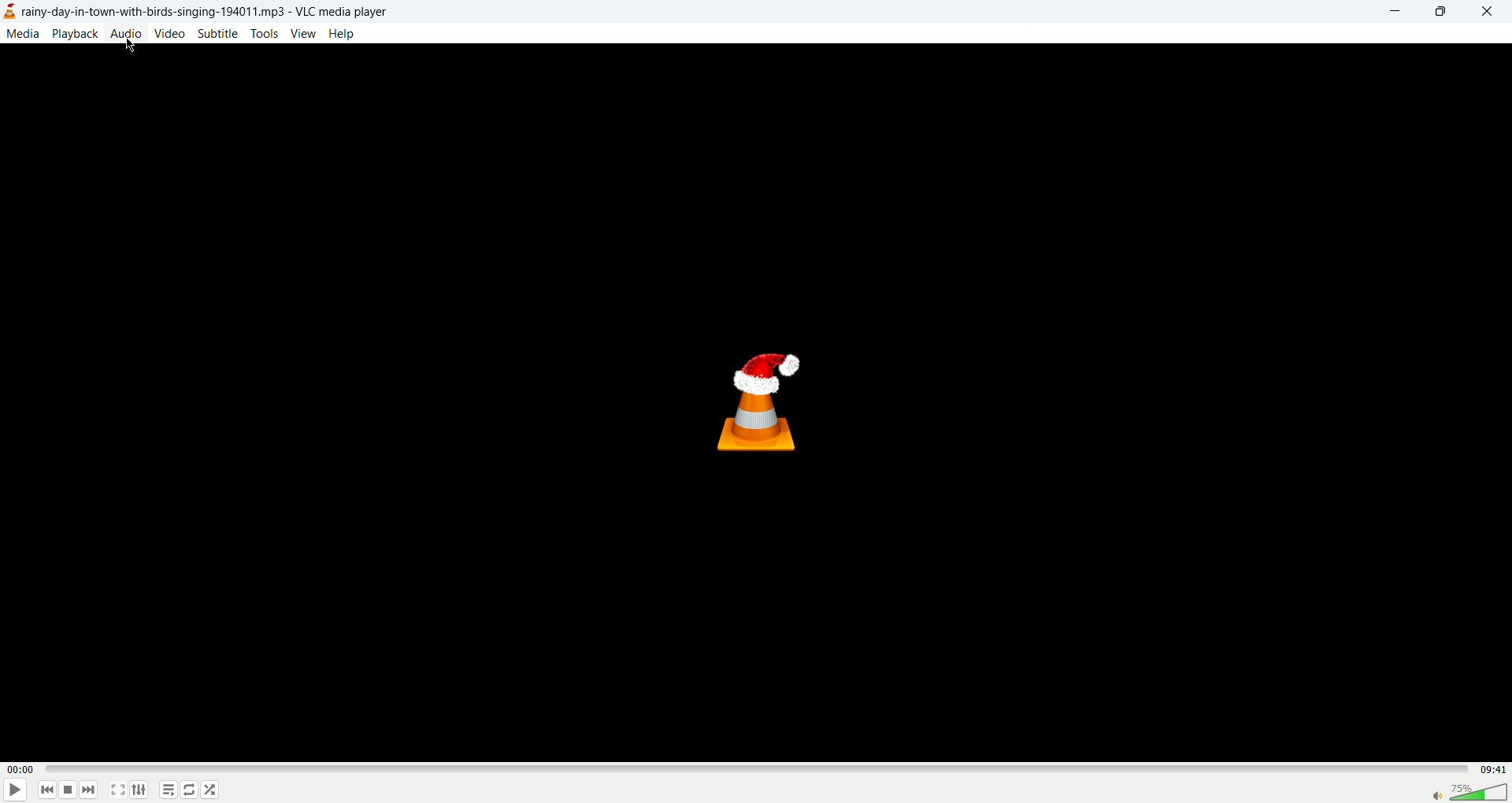 The height and width of the screenshot is (803, 1512). Describe the element at coordinates (48, 791) in the screenshot. I see `previous` at that location.